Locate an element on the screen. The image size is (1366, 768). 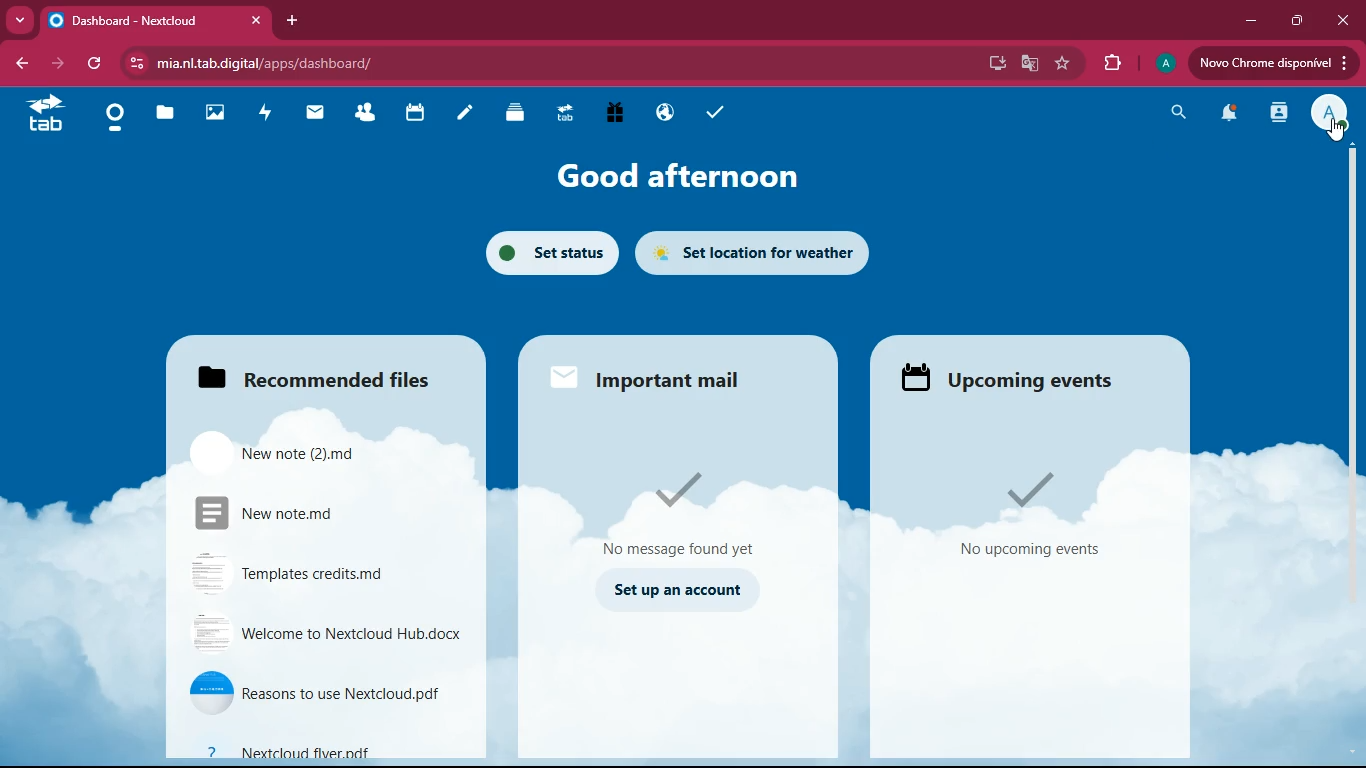
close is located at coordinates (1342, 20).